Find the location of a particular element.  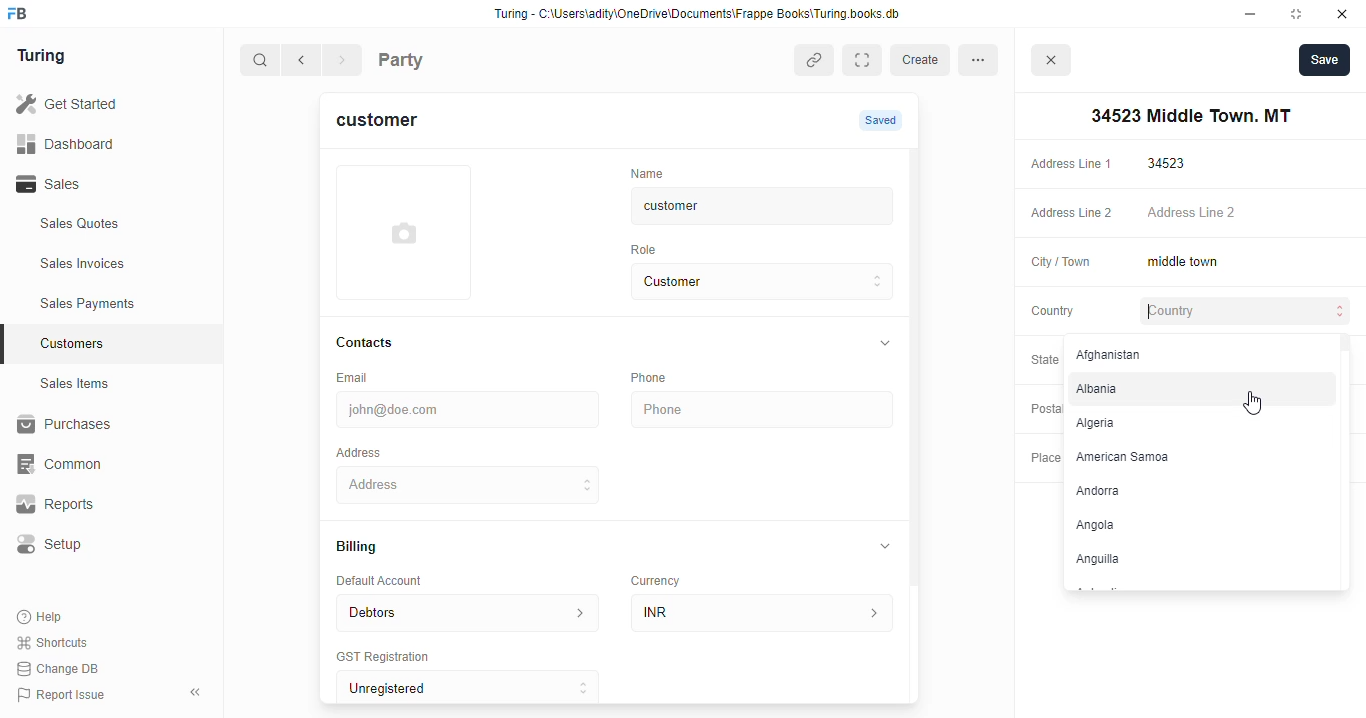

‘Name is located at coordinates (652, 172).